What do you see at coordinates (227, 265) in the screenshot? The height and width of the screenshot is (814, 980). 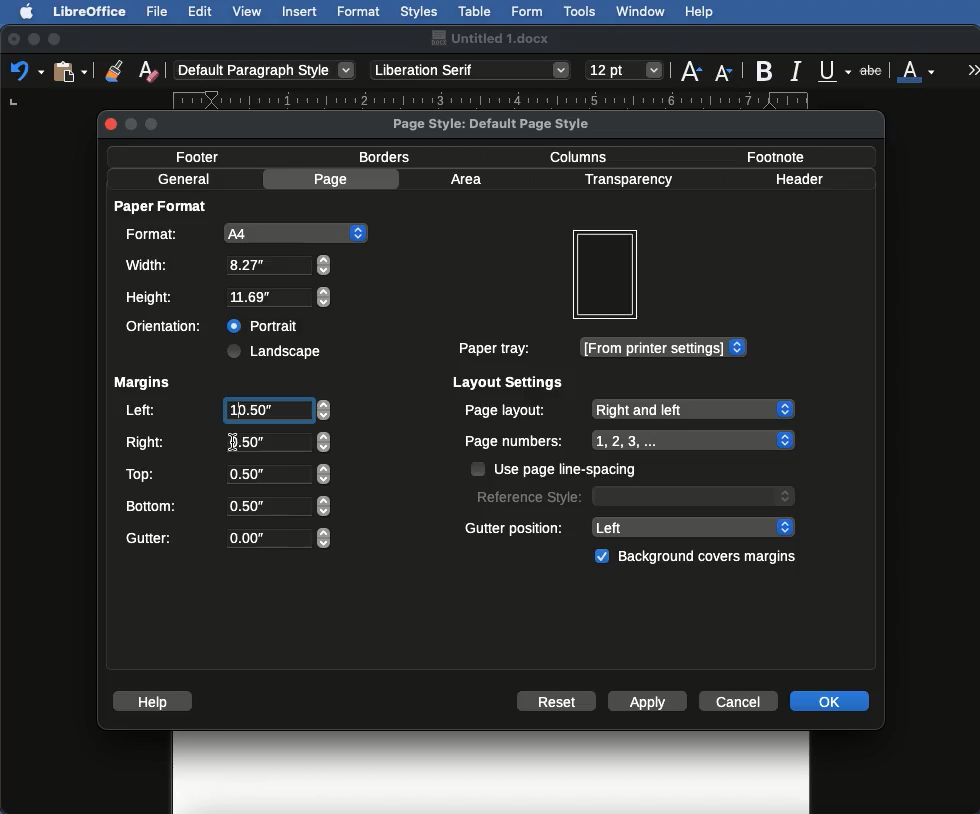 I see `Width` at bounding box center [227, 265].